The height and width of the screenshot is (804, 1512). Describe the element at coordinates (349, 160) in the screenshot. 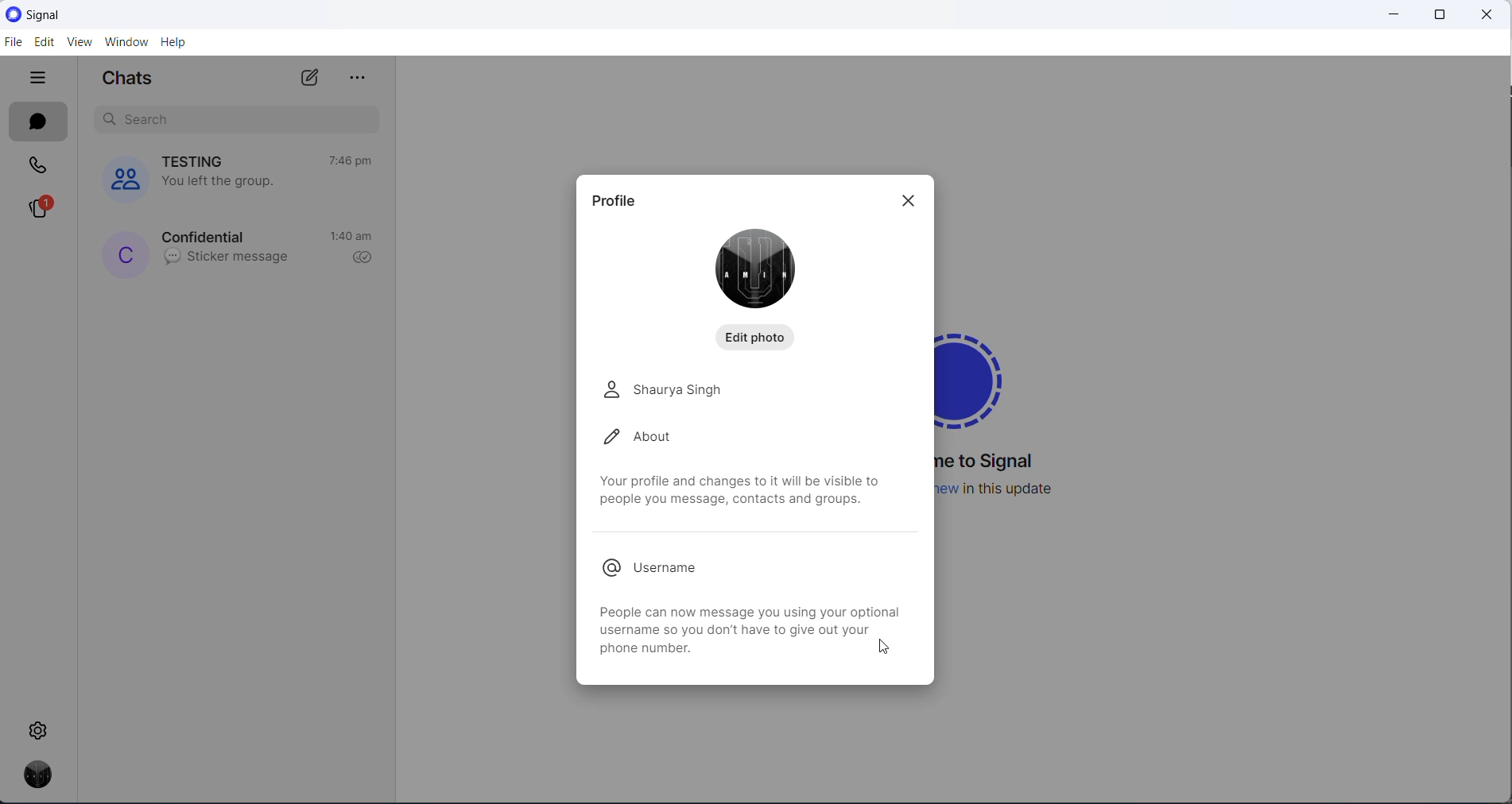

I see `last active time` at that location.